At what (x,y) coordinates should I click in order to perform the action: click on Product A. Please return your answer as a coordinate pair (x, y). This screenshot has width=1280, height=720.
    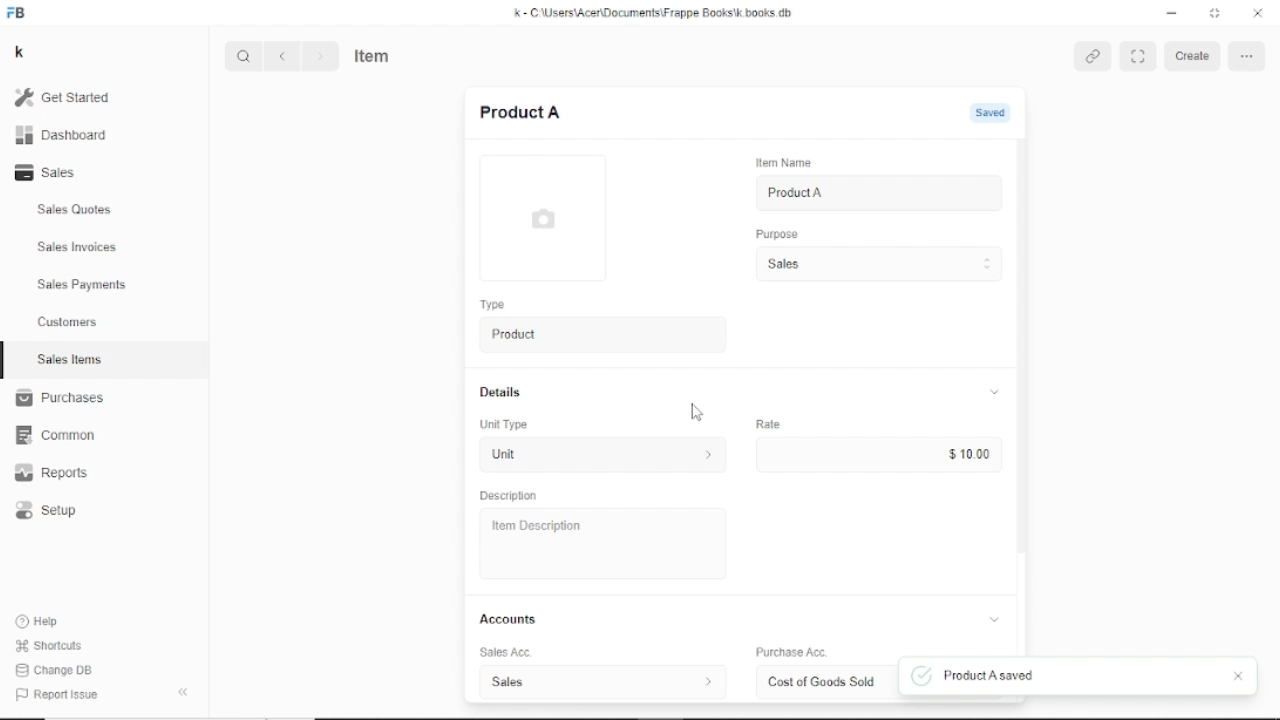
    Looking at the image, I should click on (795, 193).